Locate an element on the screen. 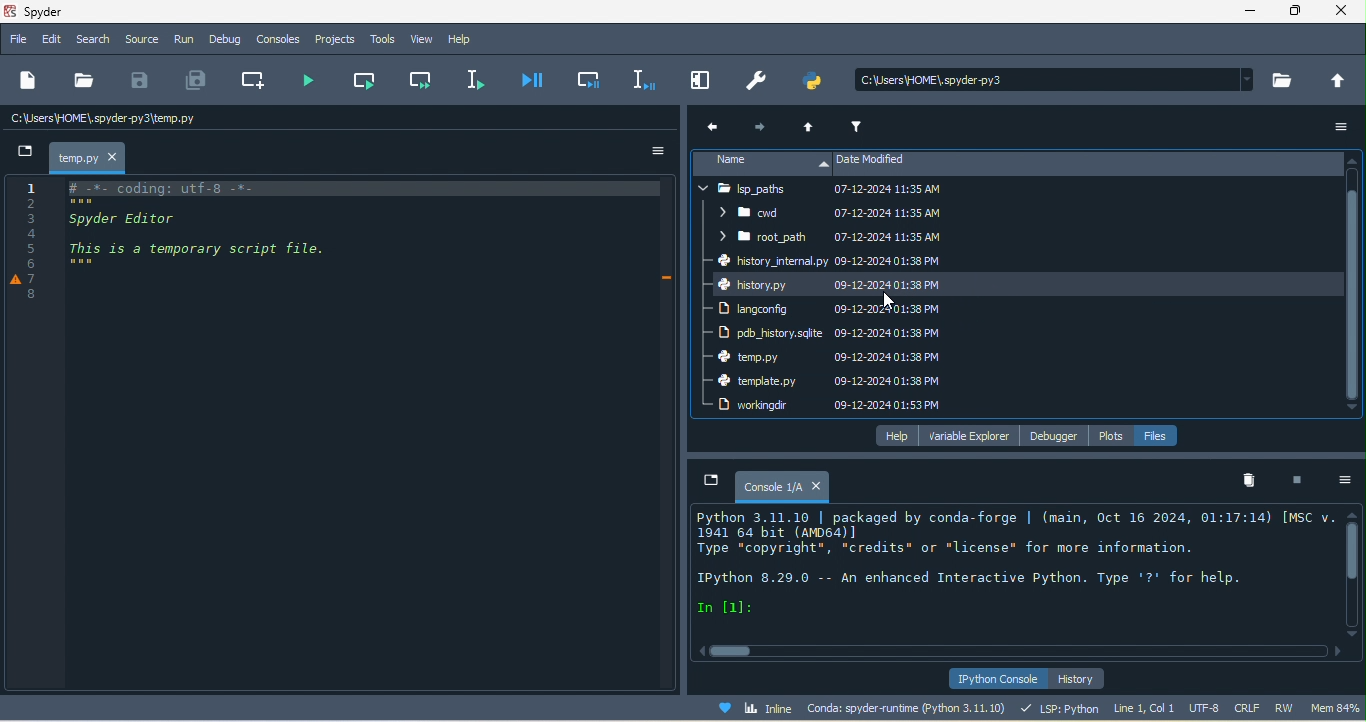 Image resolution: width=1366 pixels, height=722 pixels. cursor movement is located at coordinates (887, 302).